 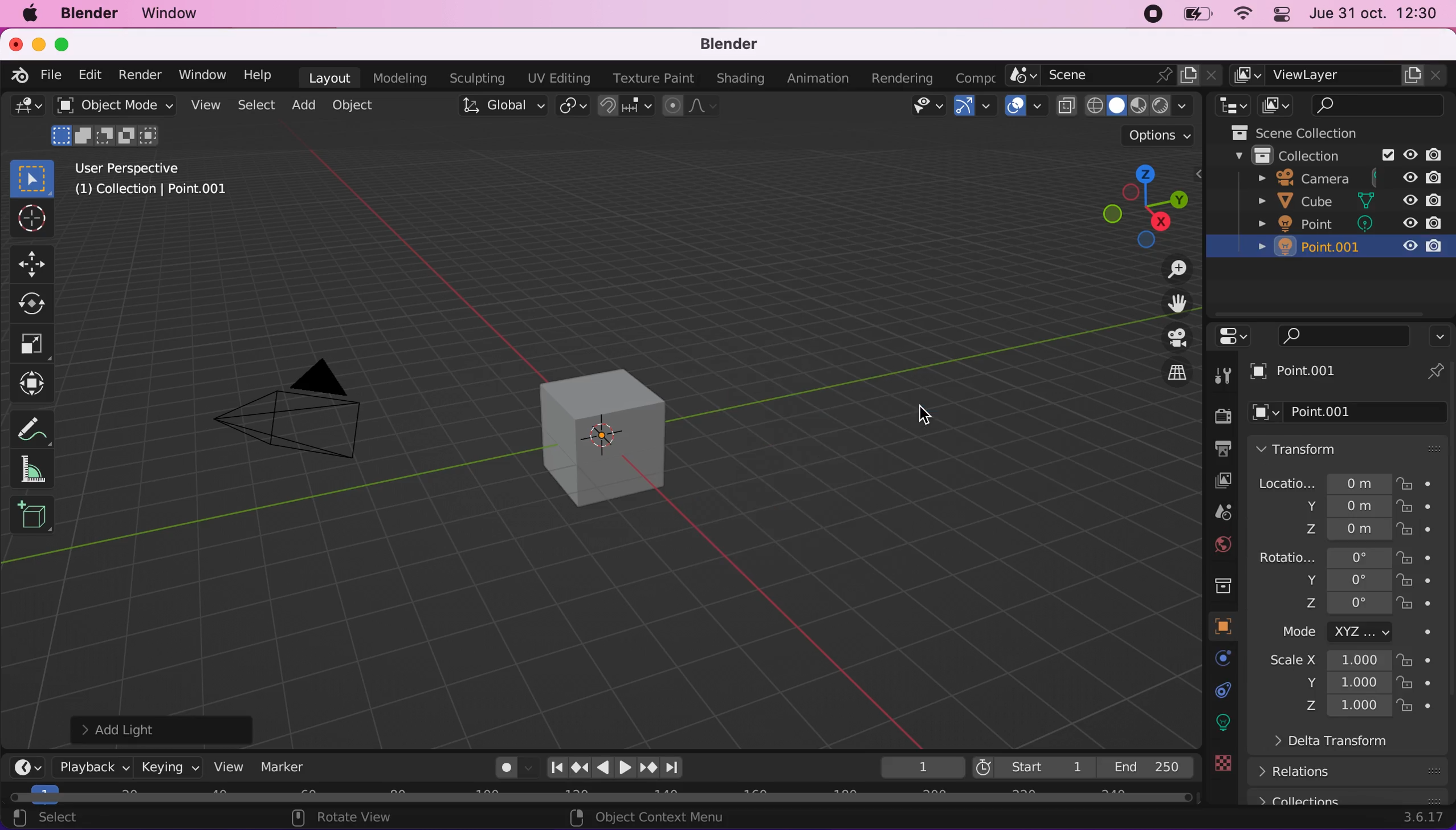 I want to click on minimize, so click(x=38, y=43).